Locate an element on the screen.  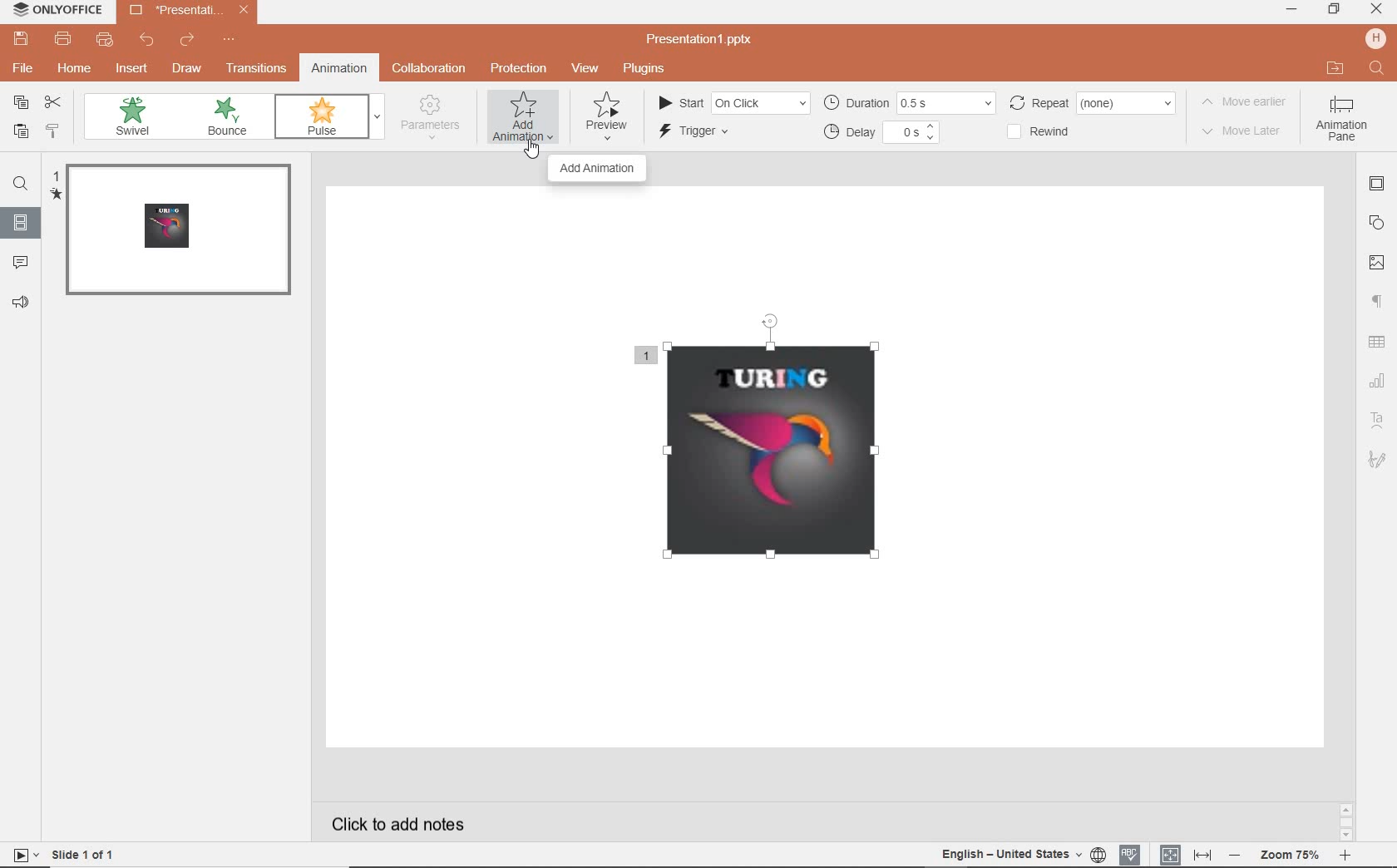
inserted image is located at coordinates (787, 448).